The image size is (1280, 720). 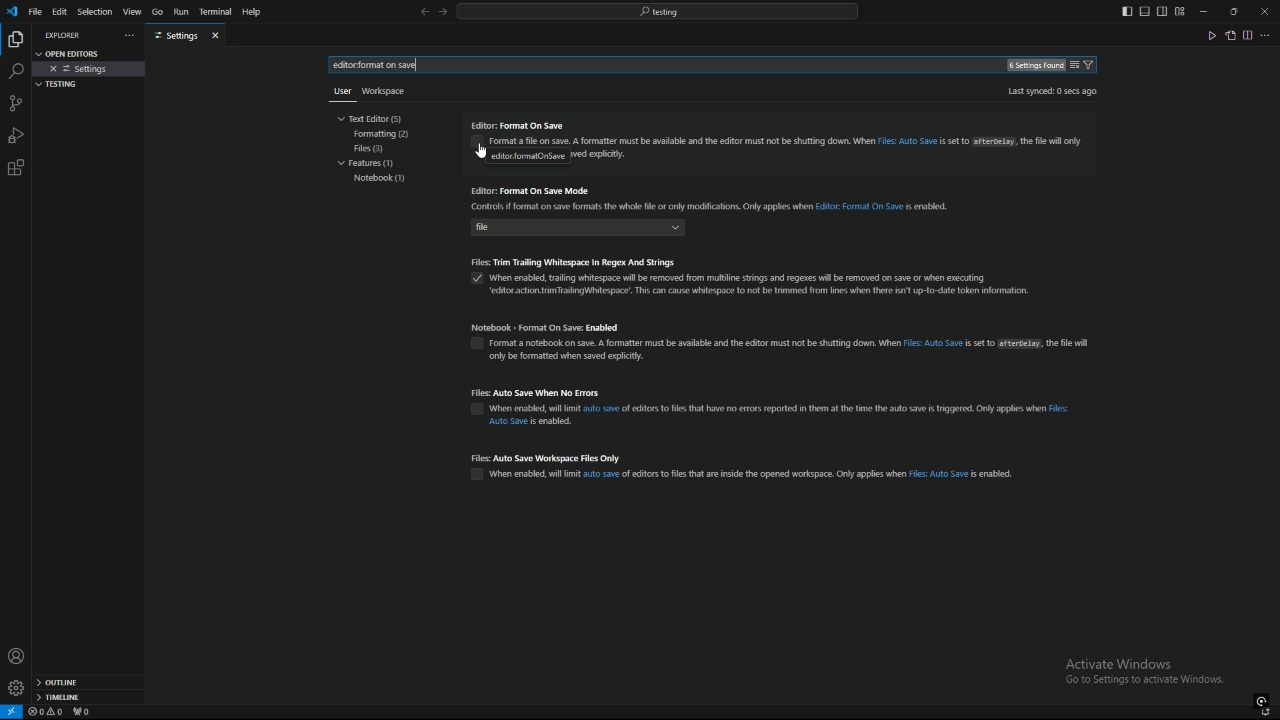 I want to click on vscode, so click(x=11, y=12).